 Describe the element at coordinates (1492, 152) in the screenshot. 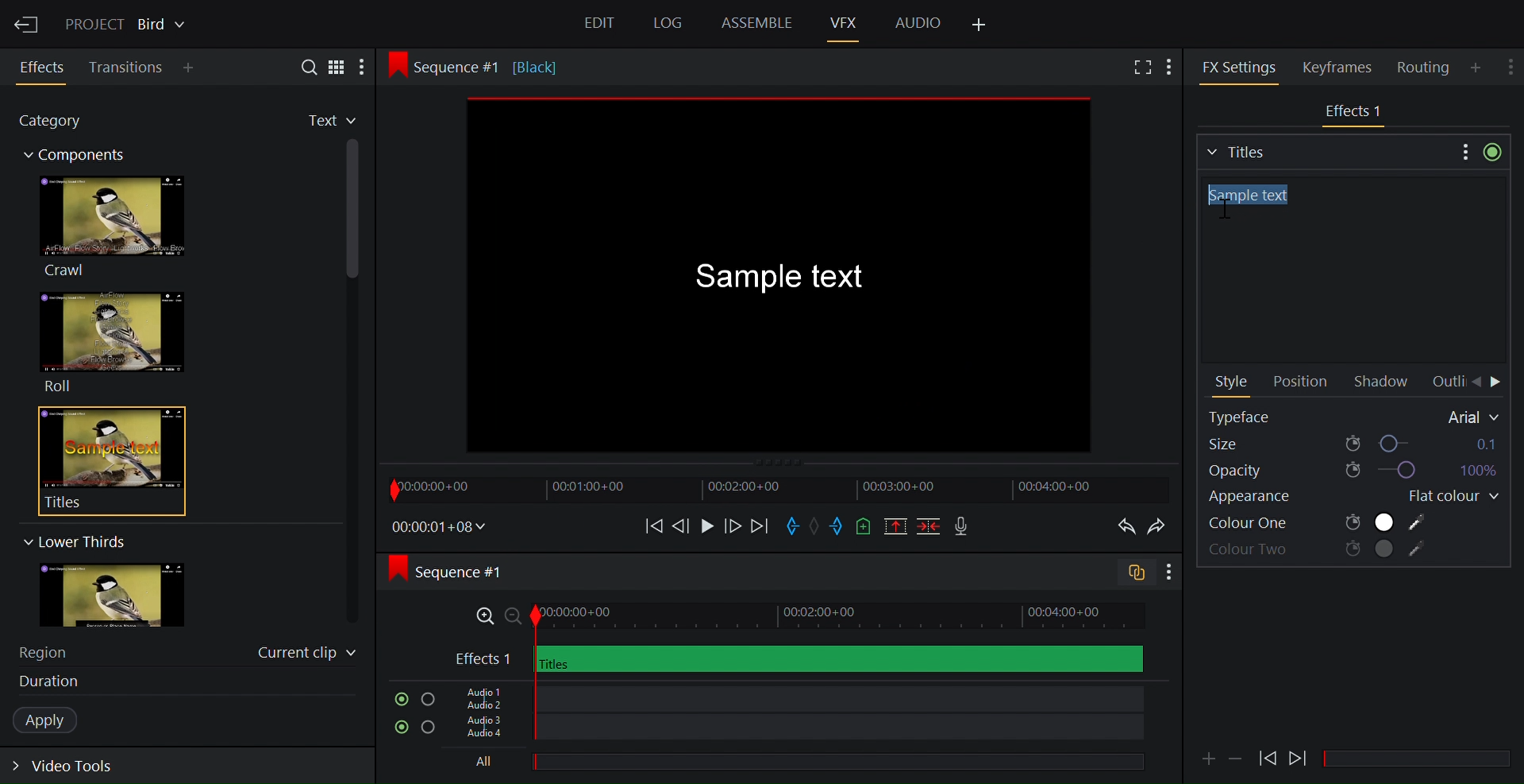

I see `Toggle bypass` at that location.